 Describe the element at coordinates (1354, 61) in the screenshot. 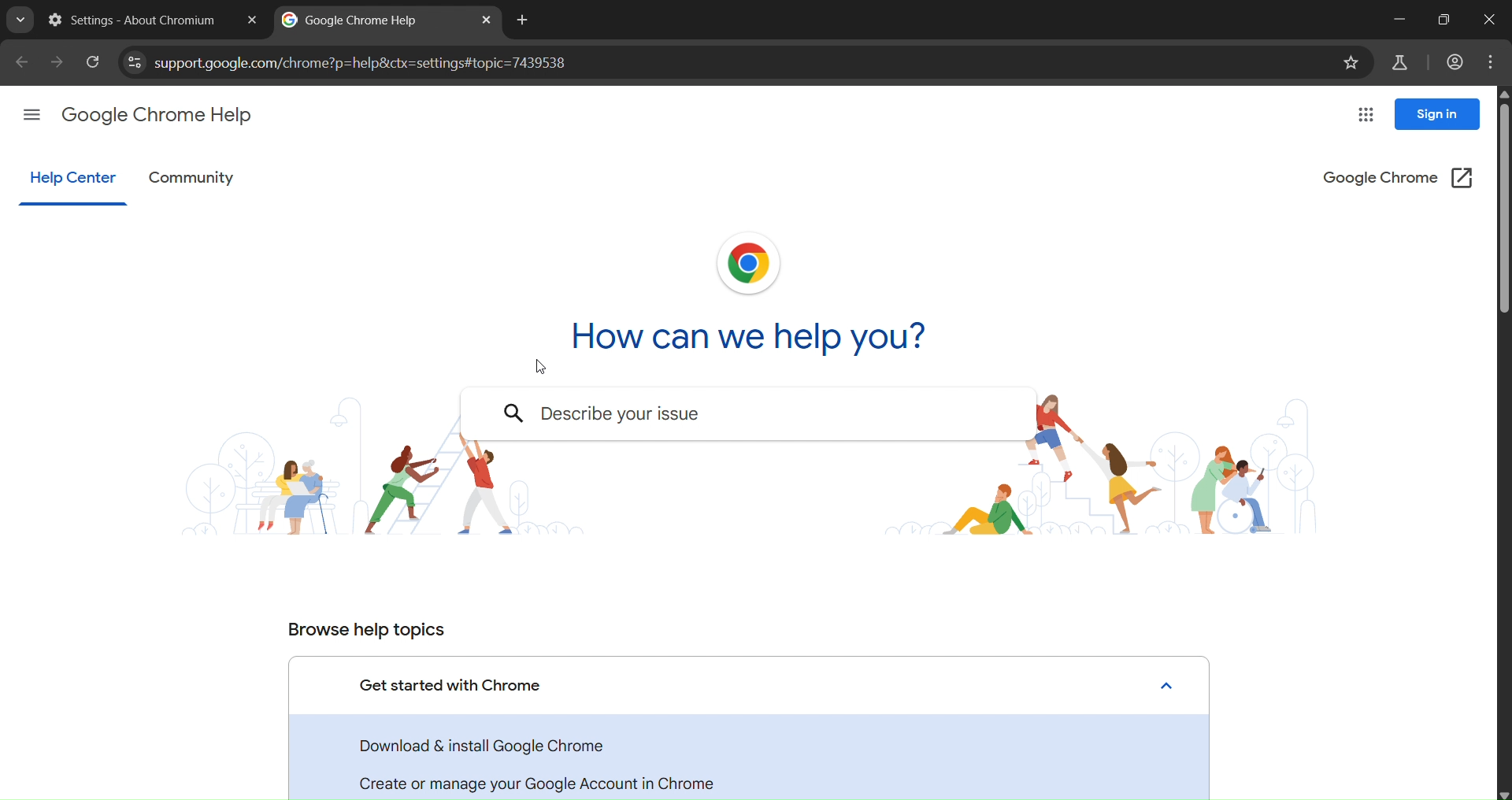

I see `bookmark page` at that location.